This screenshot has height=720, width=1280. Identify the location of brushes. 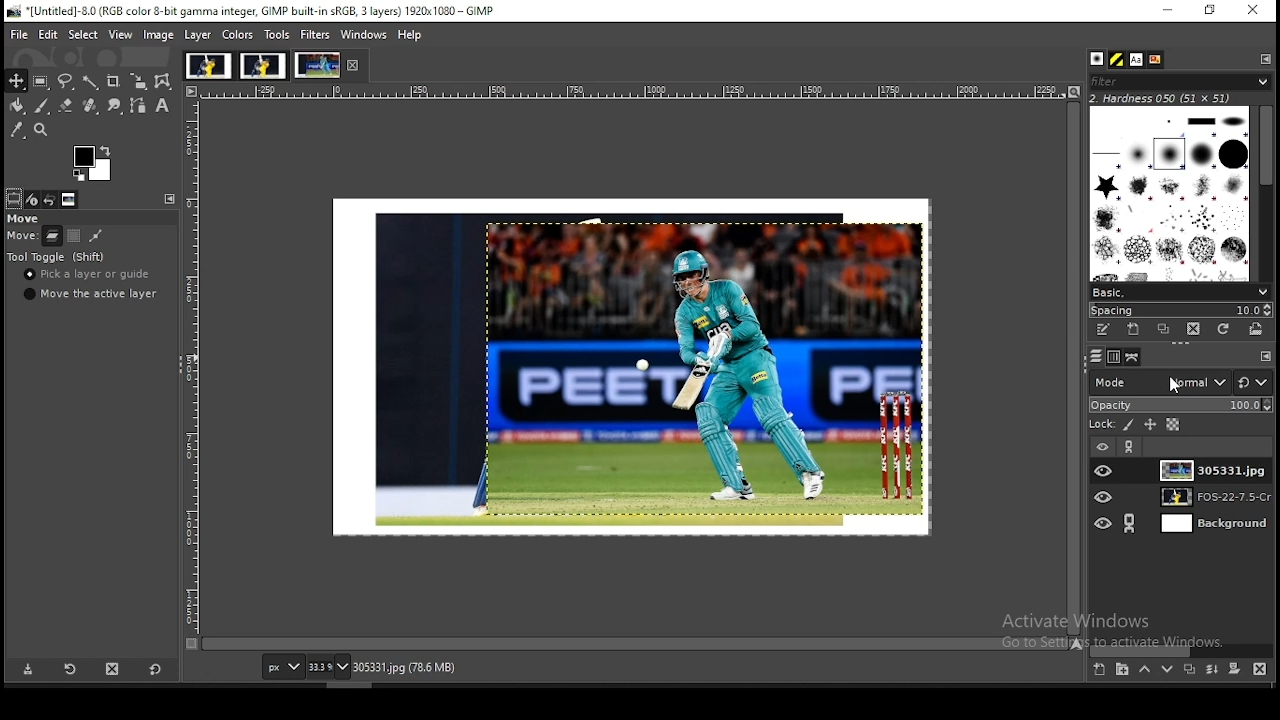
(1097, 59).